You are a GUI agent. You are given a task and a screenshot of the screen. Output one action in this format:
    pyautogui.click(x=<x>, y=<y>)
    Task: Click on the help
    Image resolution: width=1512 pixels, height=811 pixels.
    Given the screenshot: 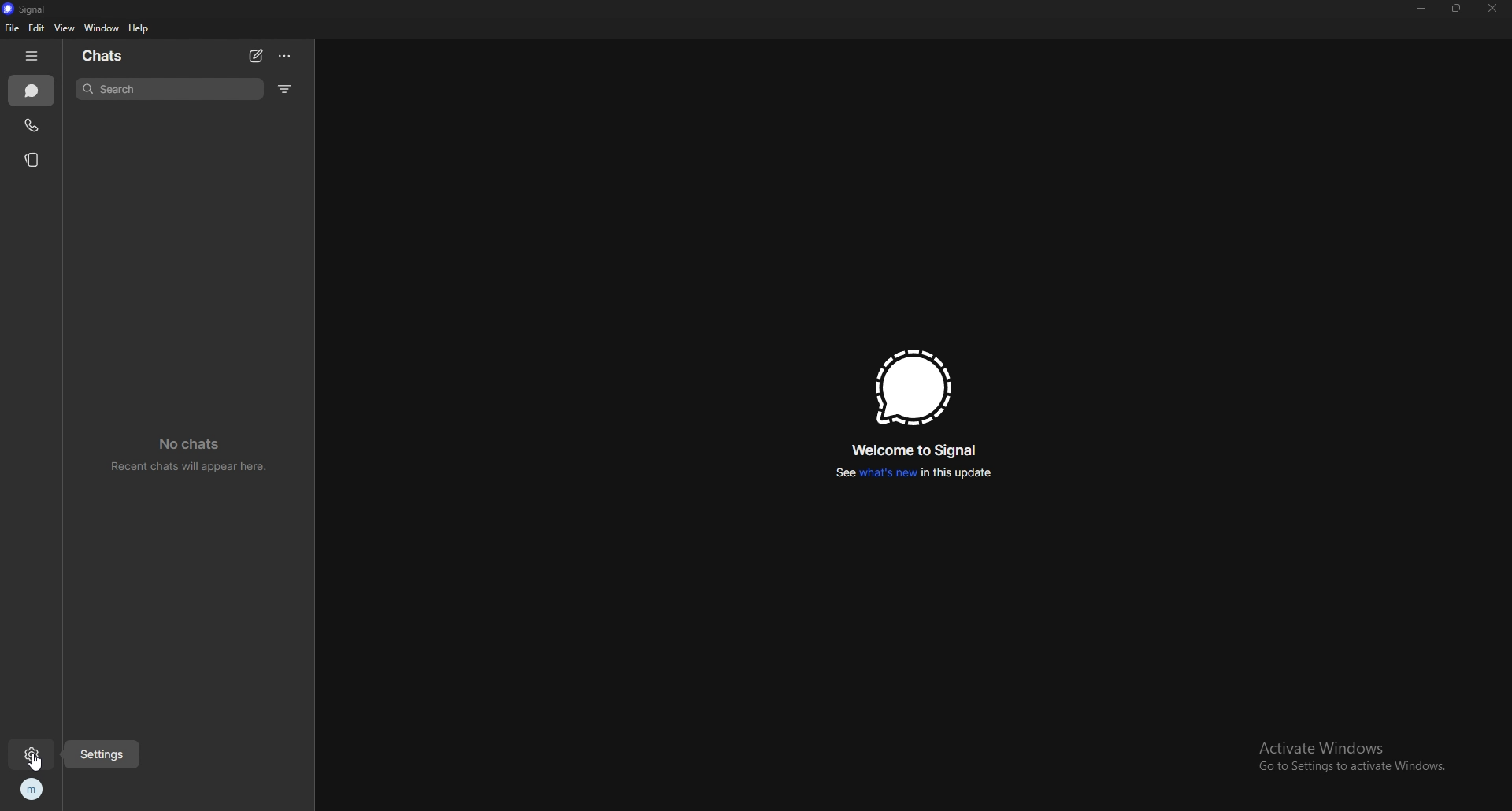 What is the action you would take?
    pyautogui.click(x=140, y=29)
    